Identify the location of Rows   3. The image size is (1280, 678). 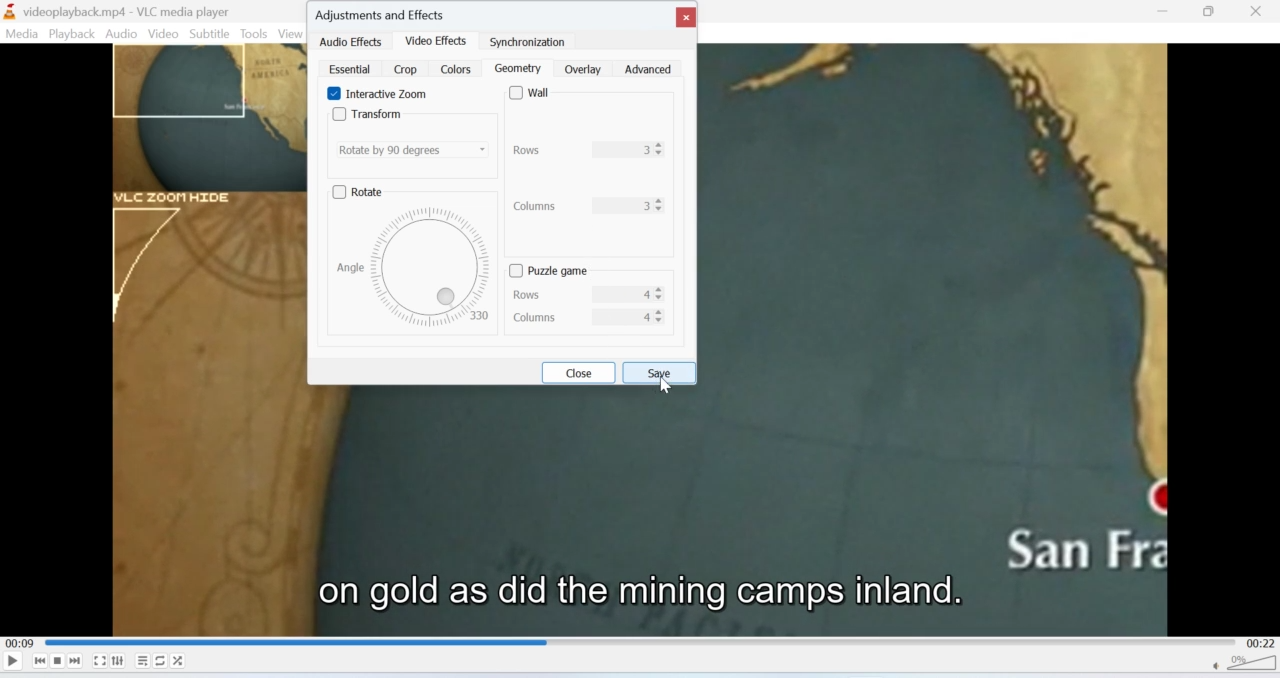
(593, 150).